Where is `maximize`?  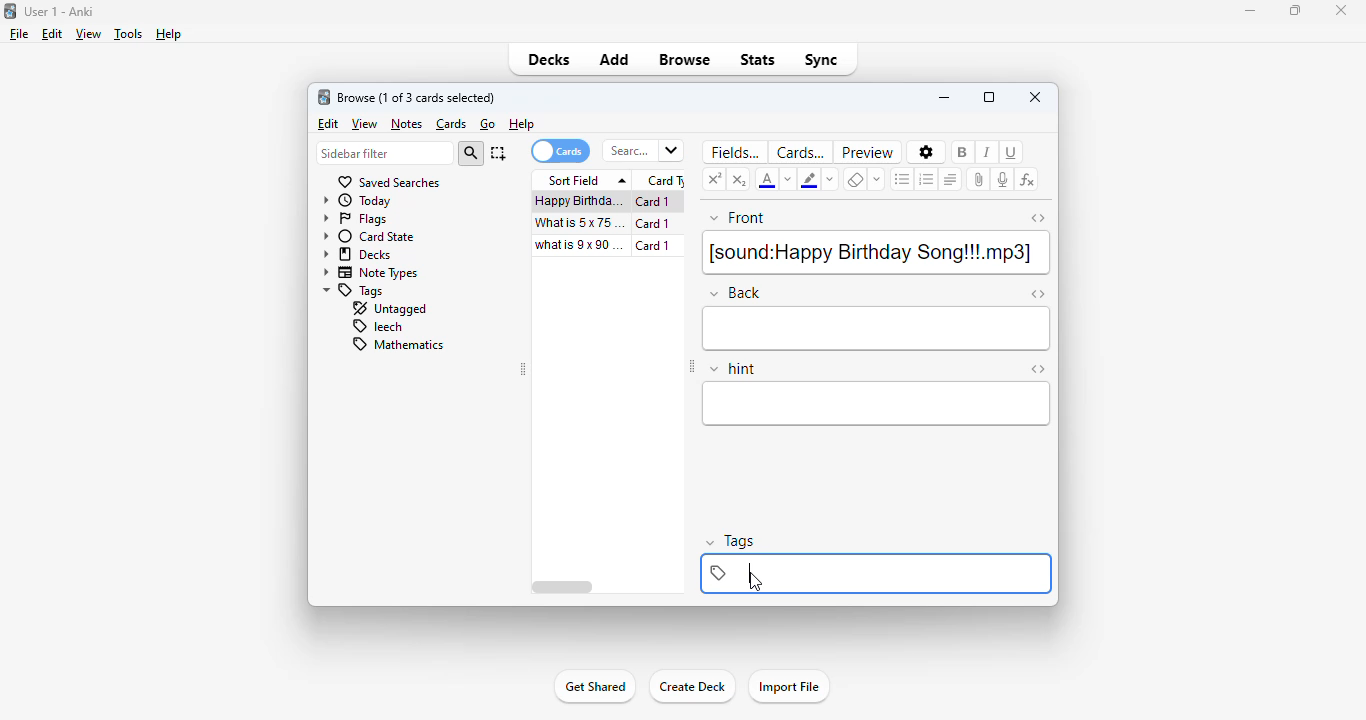 maximize is located at coordinates (1297, 10).